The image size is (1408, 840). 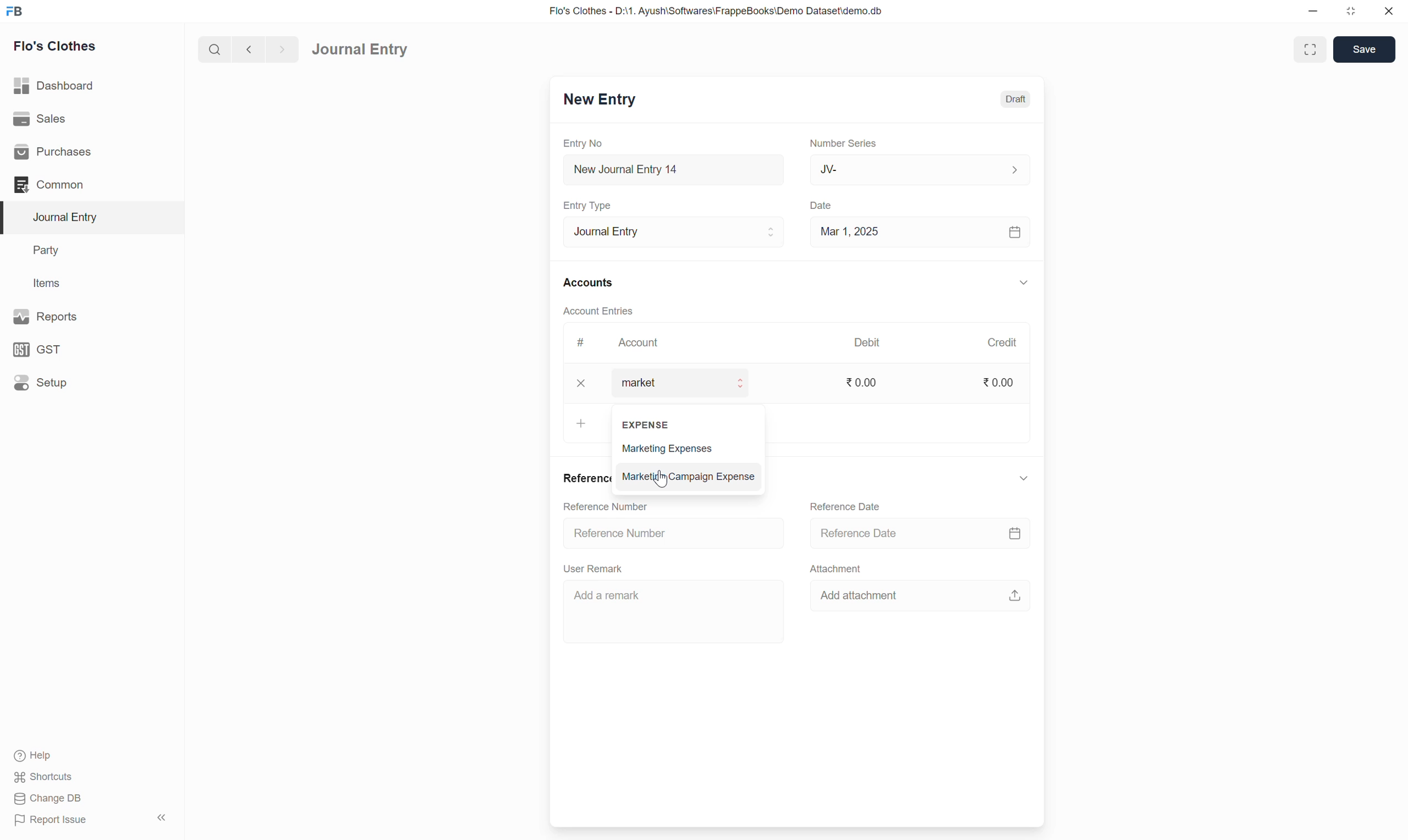 I want to click on resize, so click(x=1349, y=11).